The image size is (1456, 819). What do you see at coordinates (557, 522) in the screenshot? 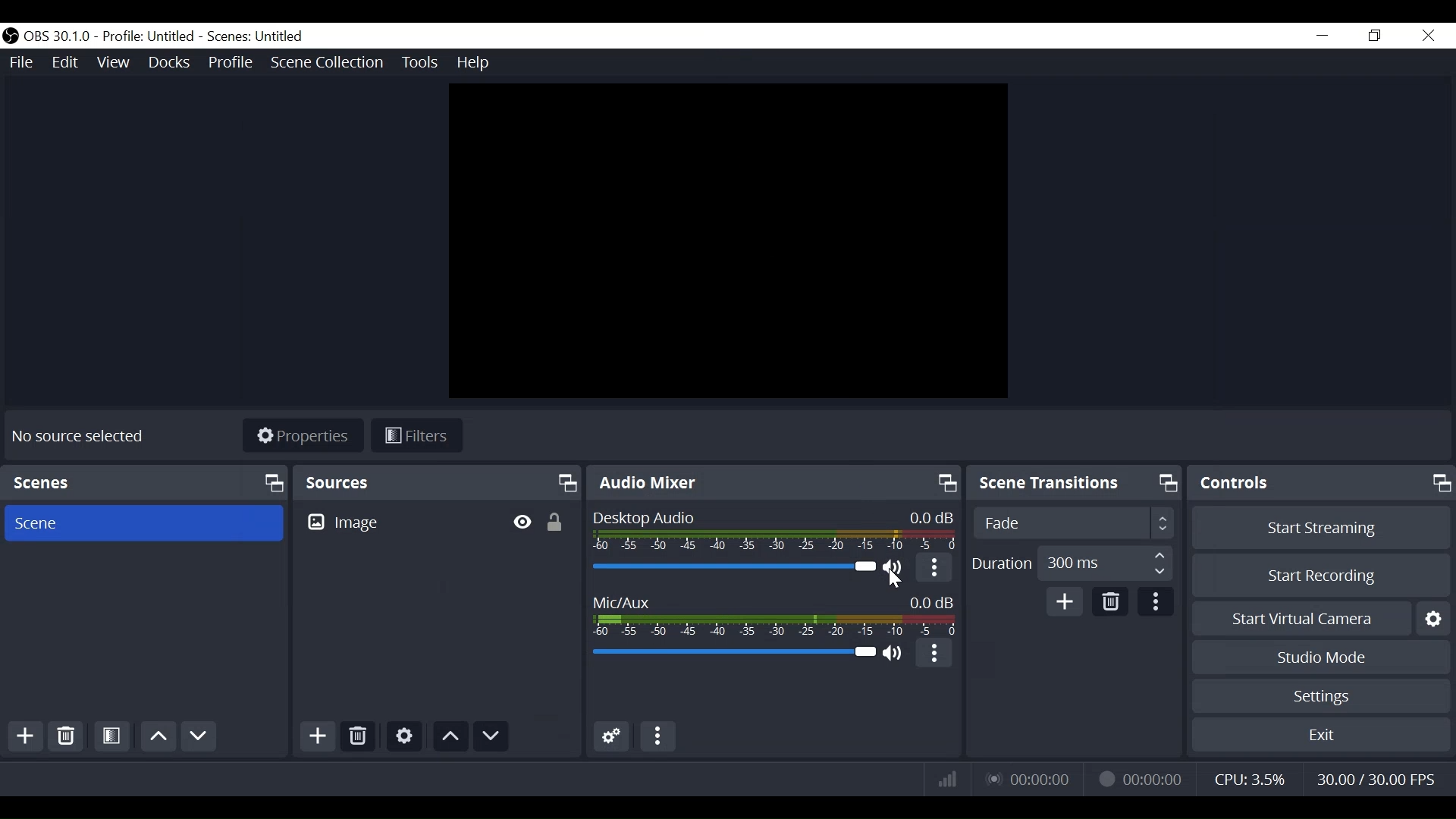
I see `(un)lock` at bounding box center [557, 522].